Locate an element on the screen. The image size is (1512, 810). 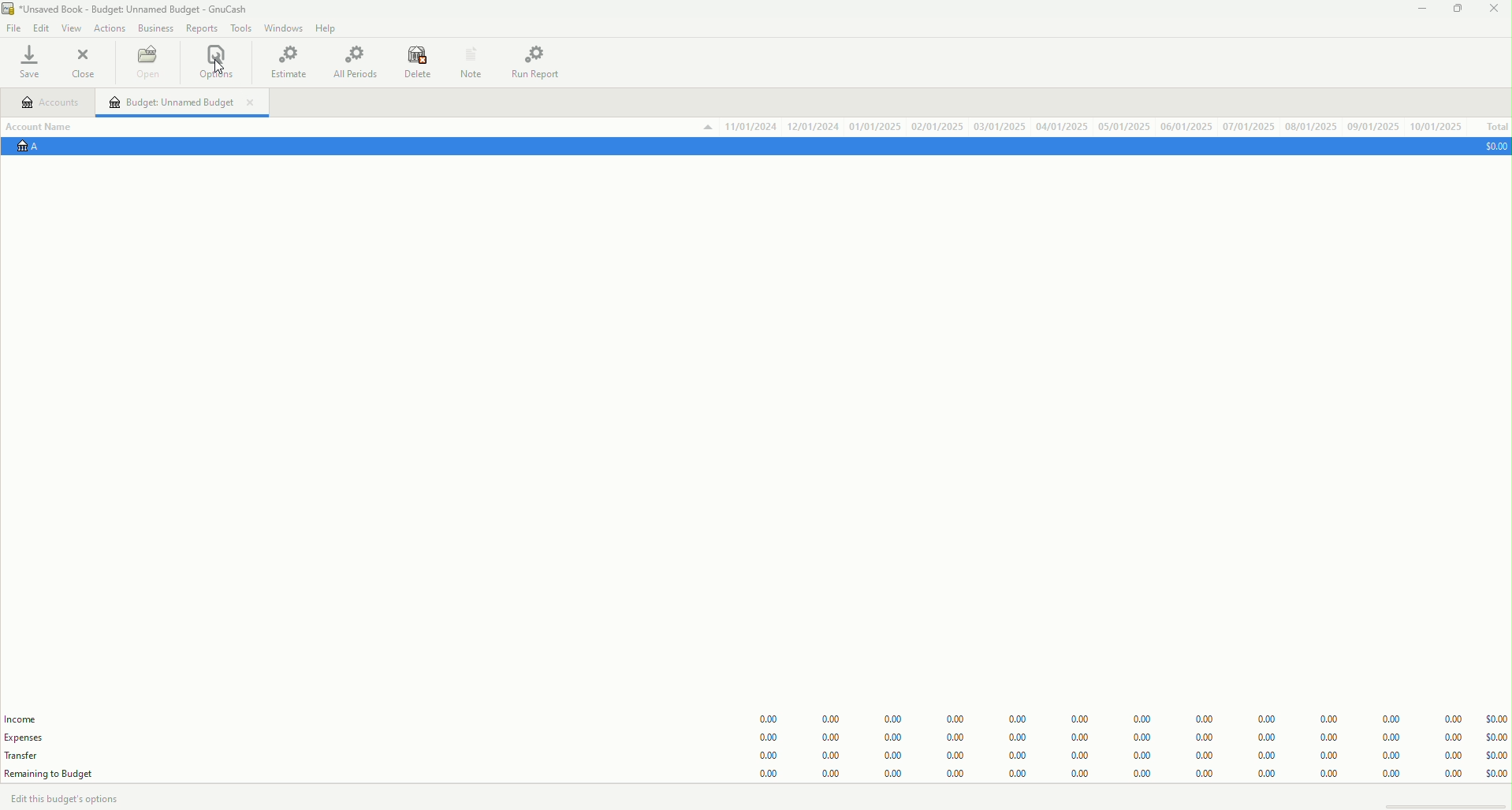
Budget Data is located at coordinates (1117, 740).